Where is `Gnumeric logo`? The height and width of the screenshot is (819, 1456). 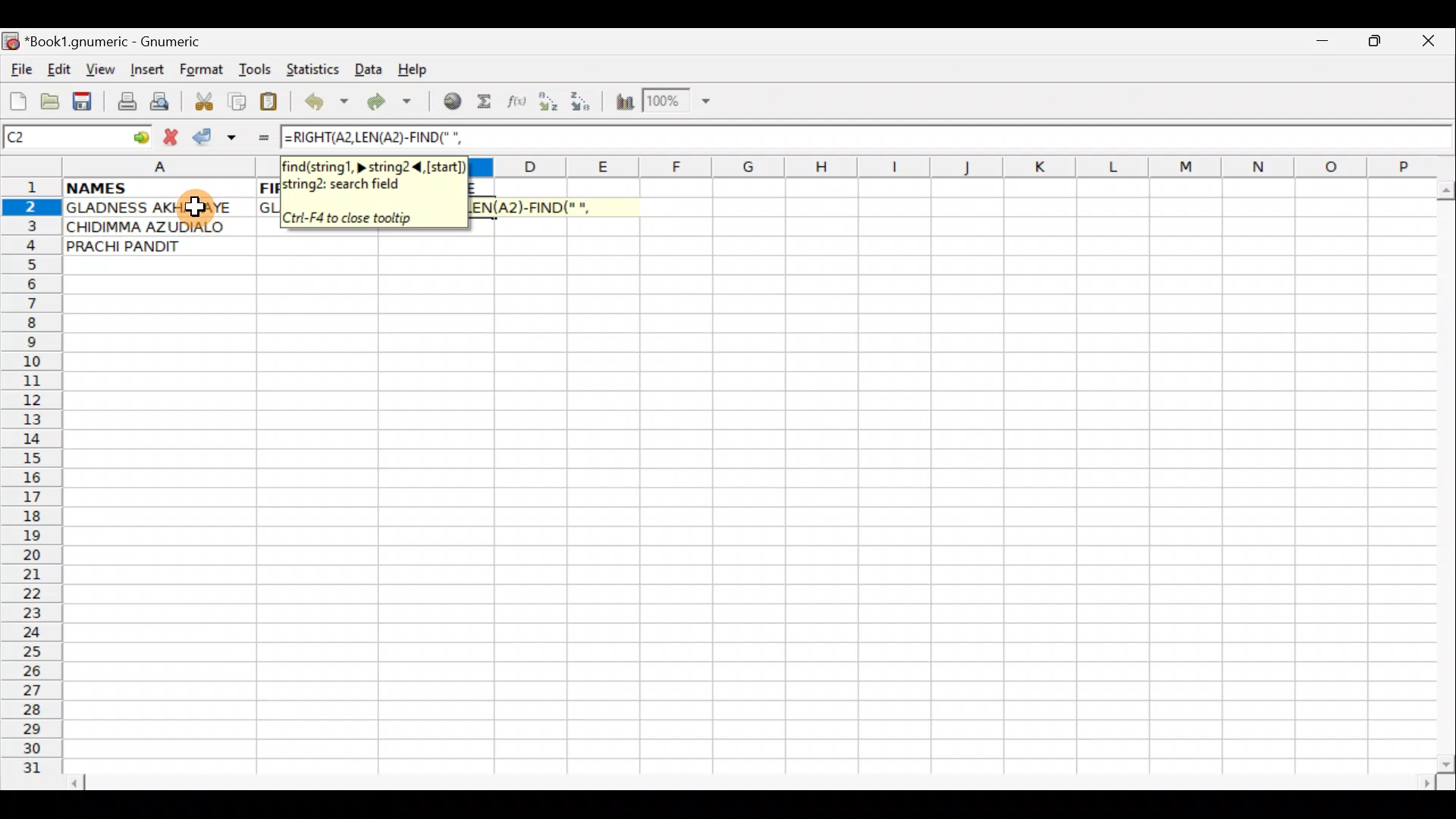 Gnumeric logo is located at coordinates (11, 42).